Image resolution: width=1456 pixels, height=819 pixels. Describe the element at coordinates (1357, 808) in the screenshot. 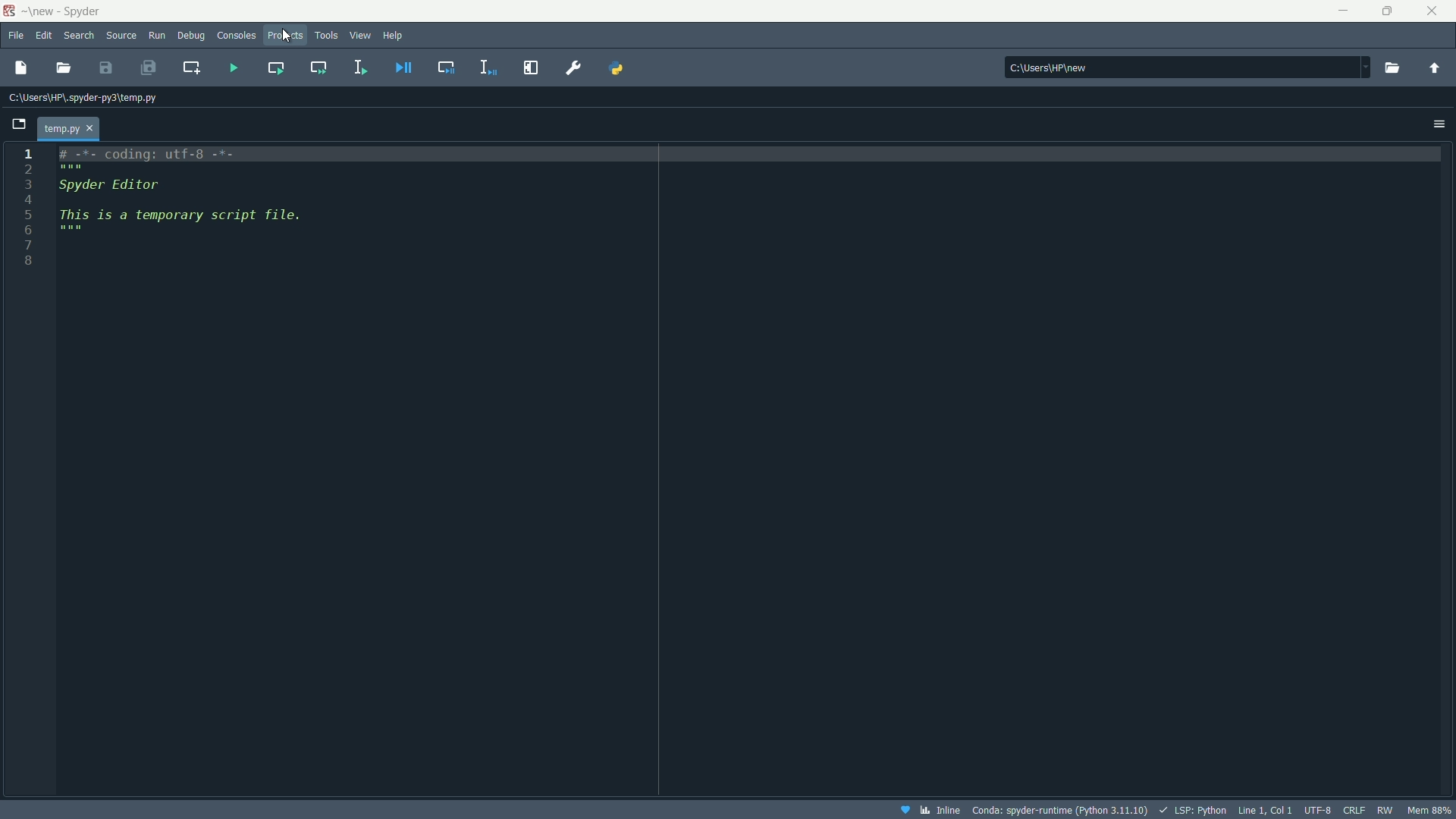

I see `crlf` at that location.